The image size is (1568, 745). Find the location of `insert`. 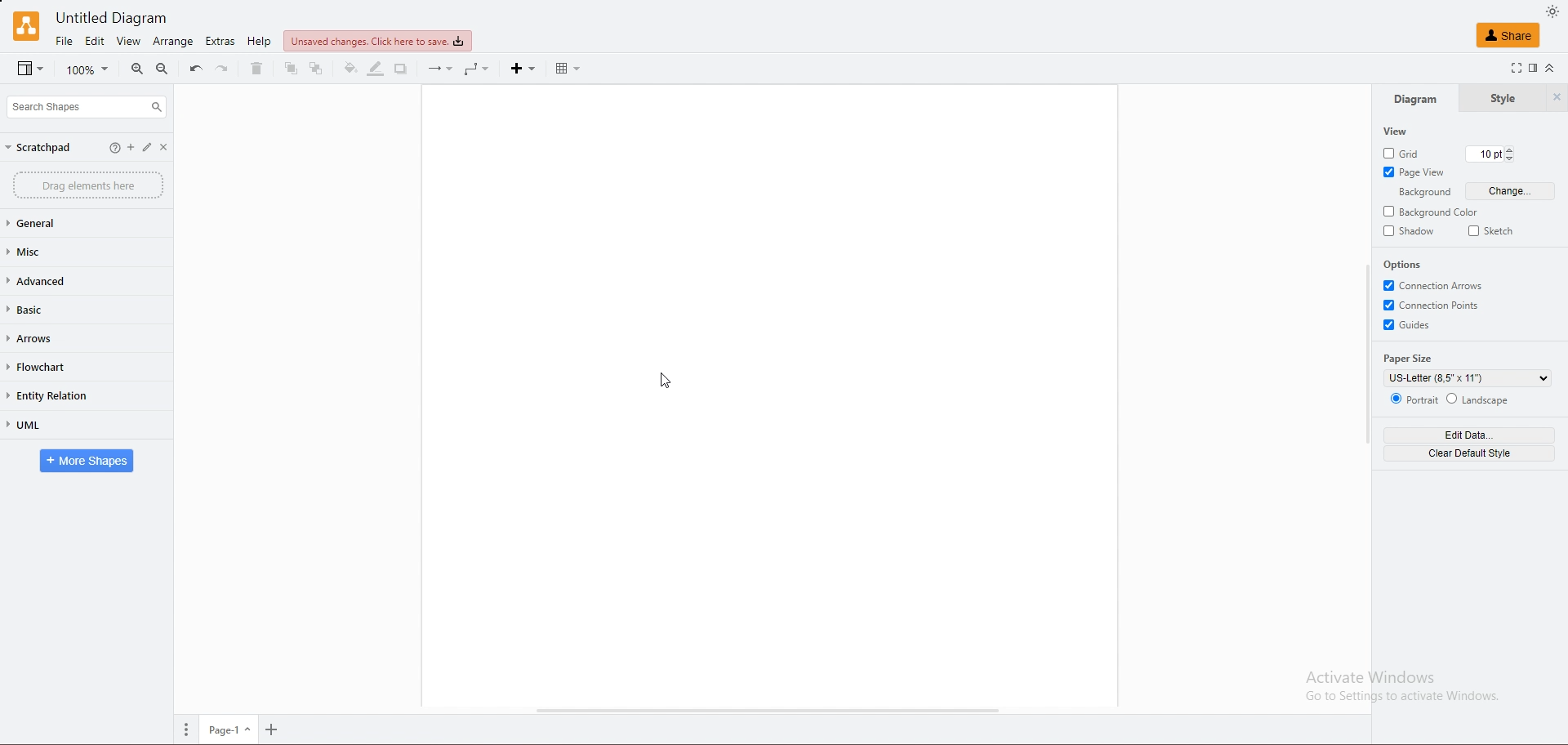

insert is located at coordinates (523, 69).